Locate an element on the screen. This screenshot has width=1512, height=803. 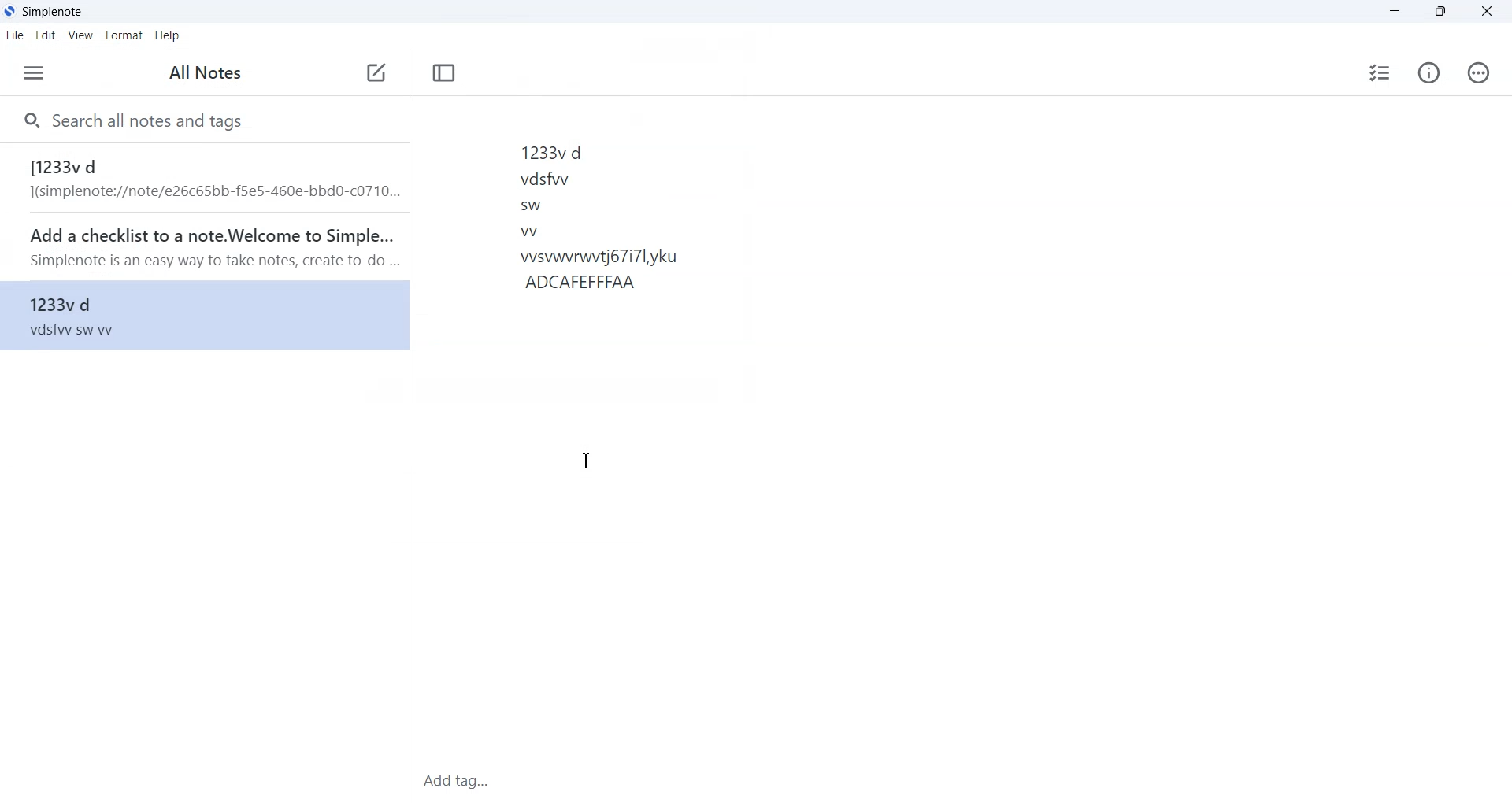
Simplenote is located at coordinates (44, 11).